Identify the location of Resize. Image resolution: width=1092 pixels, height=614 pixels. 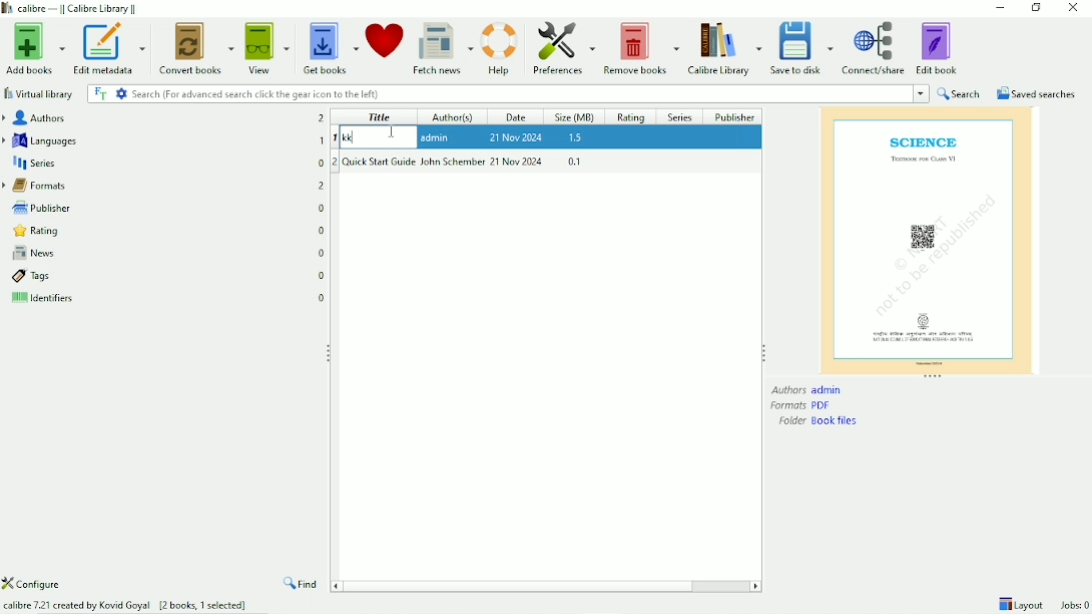
(329, 351).